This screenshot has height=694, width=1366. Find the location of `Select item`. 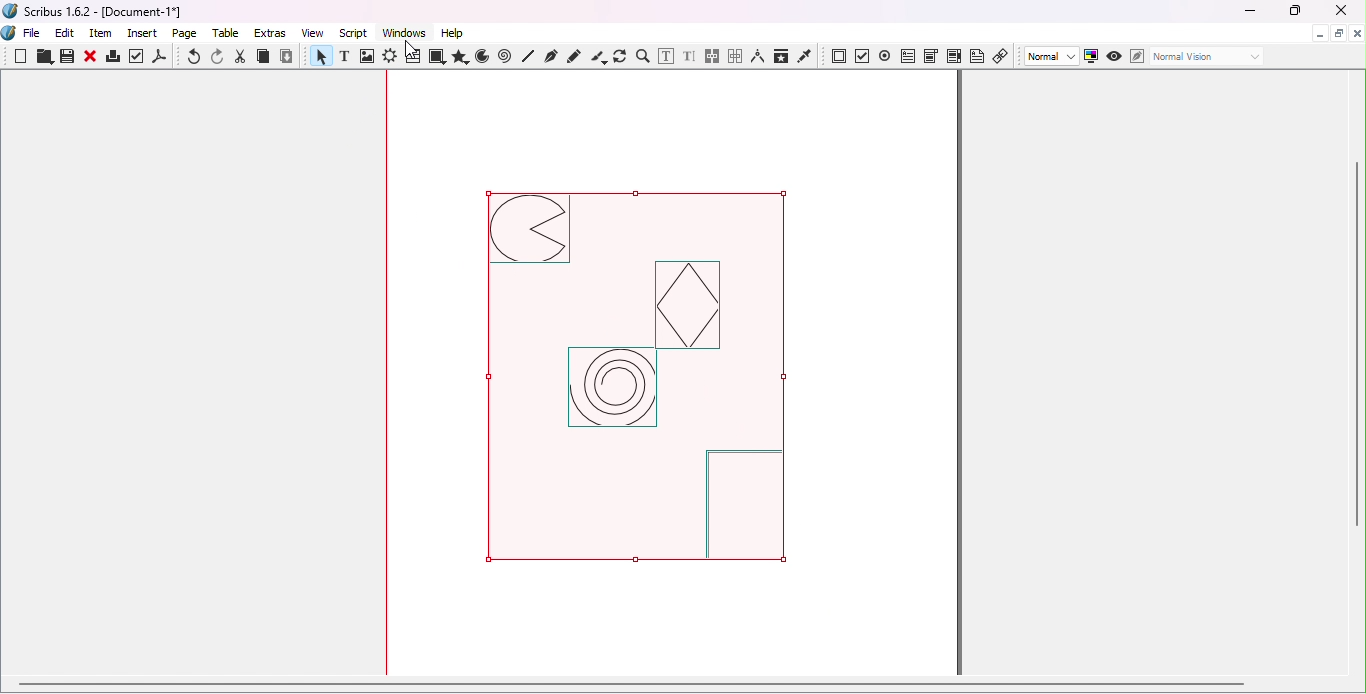

Select item is located at coordinates (319, 58).